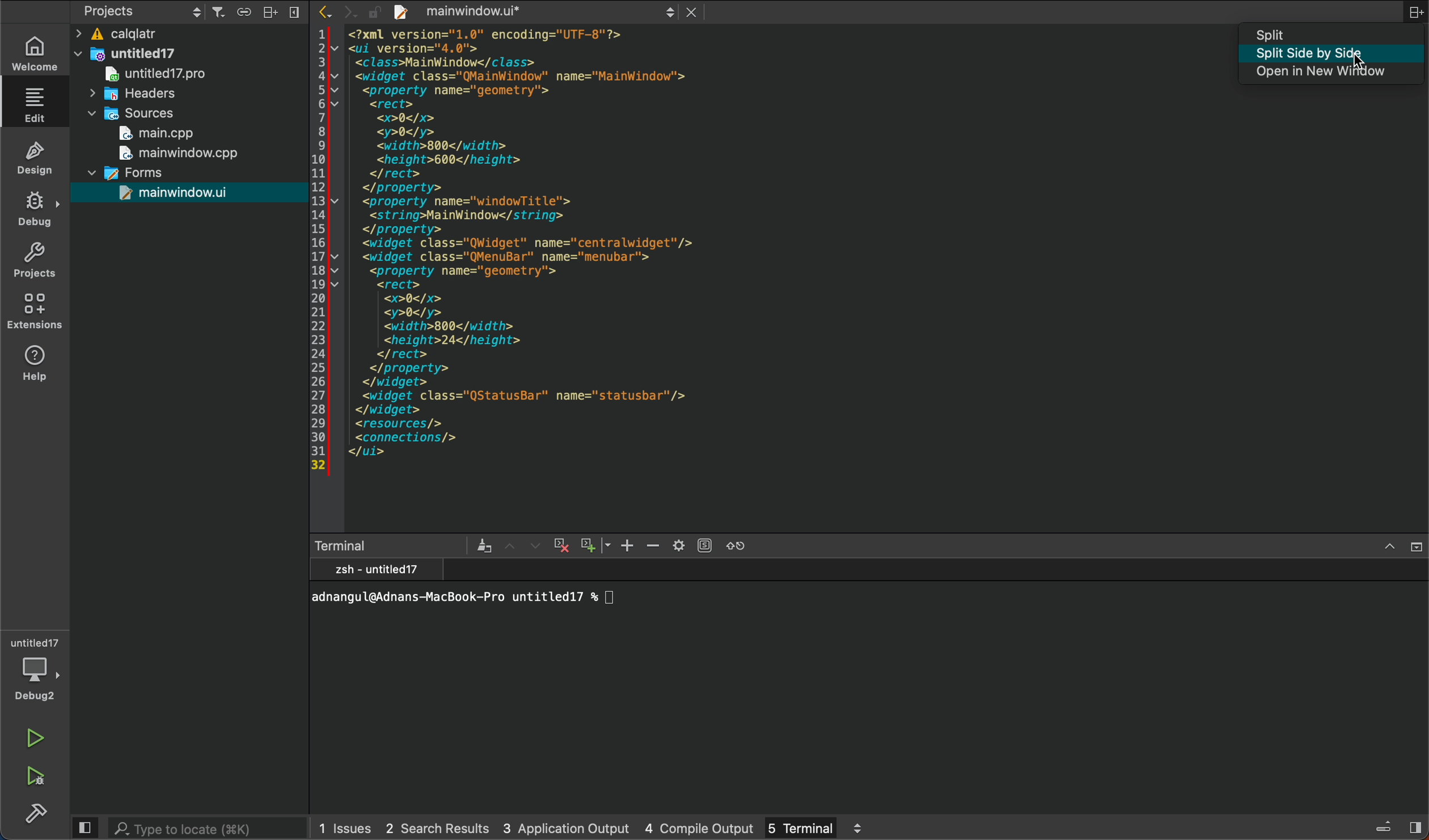 The image size is (1429, 840). Describe the element at coordinates (644, 279) in the screenshot. I see `file content` at that location.